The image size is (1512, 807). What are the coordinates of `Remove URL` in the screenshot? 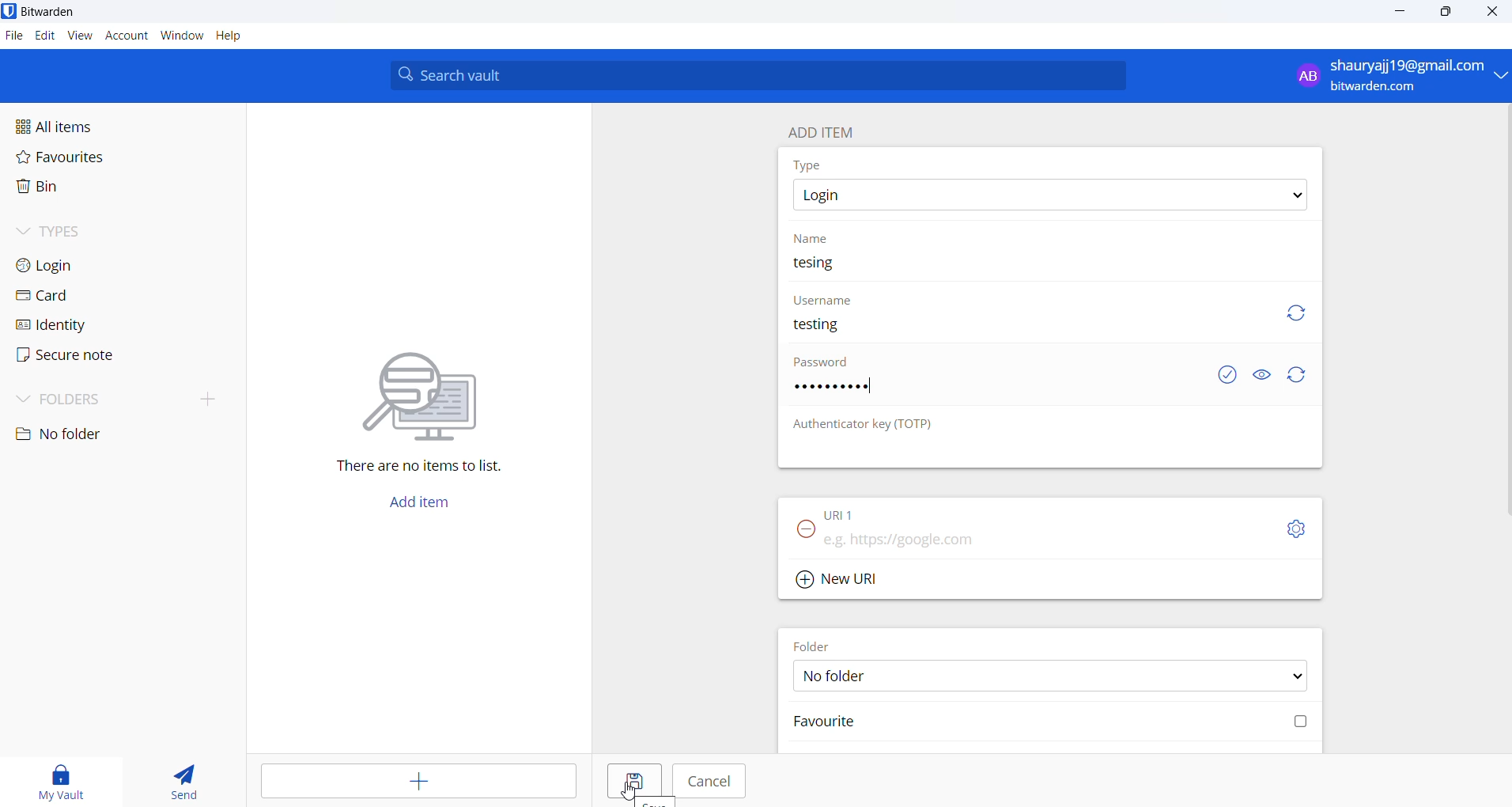 It's located at (801, 534).